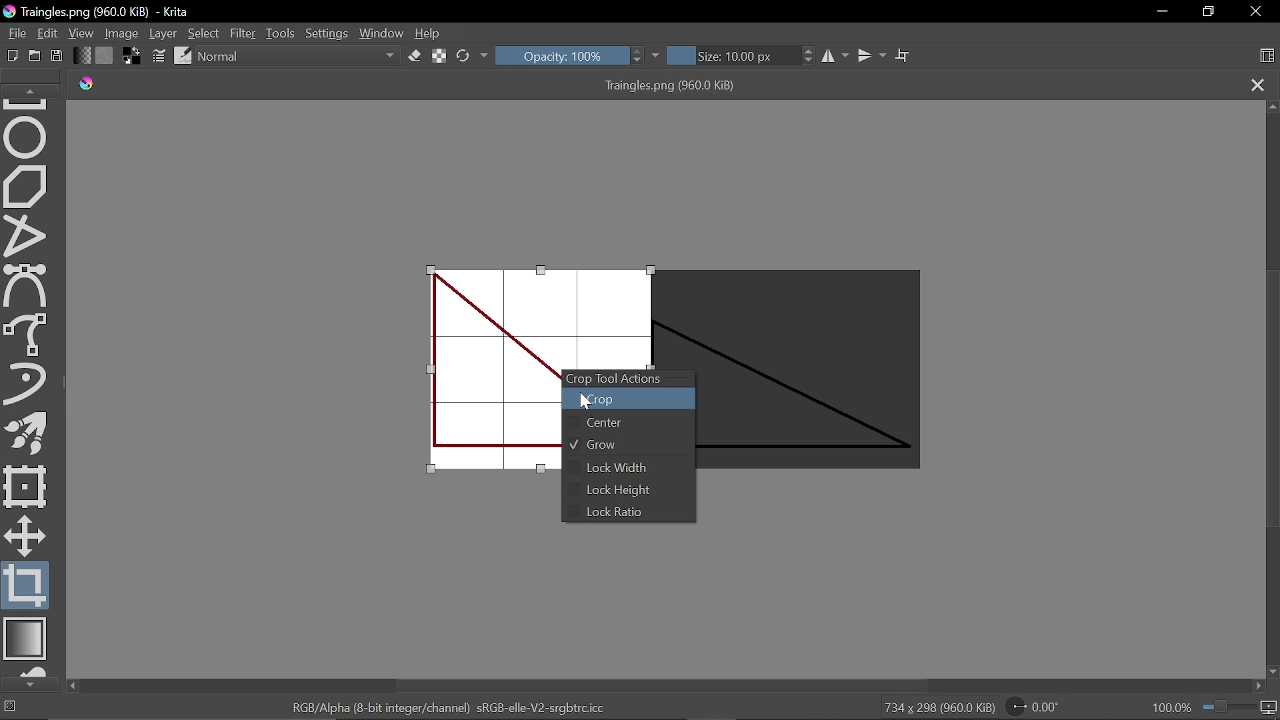 The height and width of the screenshot is (720, 1280). I want to click on Move up, so click(1272, 106).